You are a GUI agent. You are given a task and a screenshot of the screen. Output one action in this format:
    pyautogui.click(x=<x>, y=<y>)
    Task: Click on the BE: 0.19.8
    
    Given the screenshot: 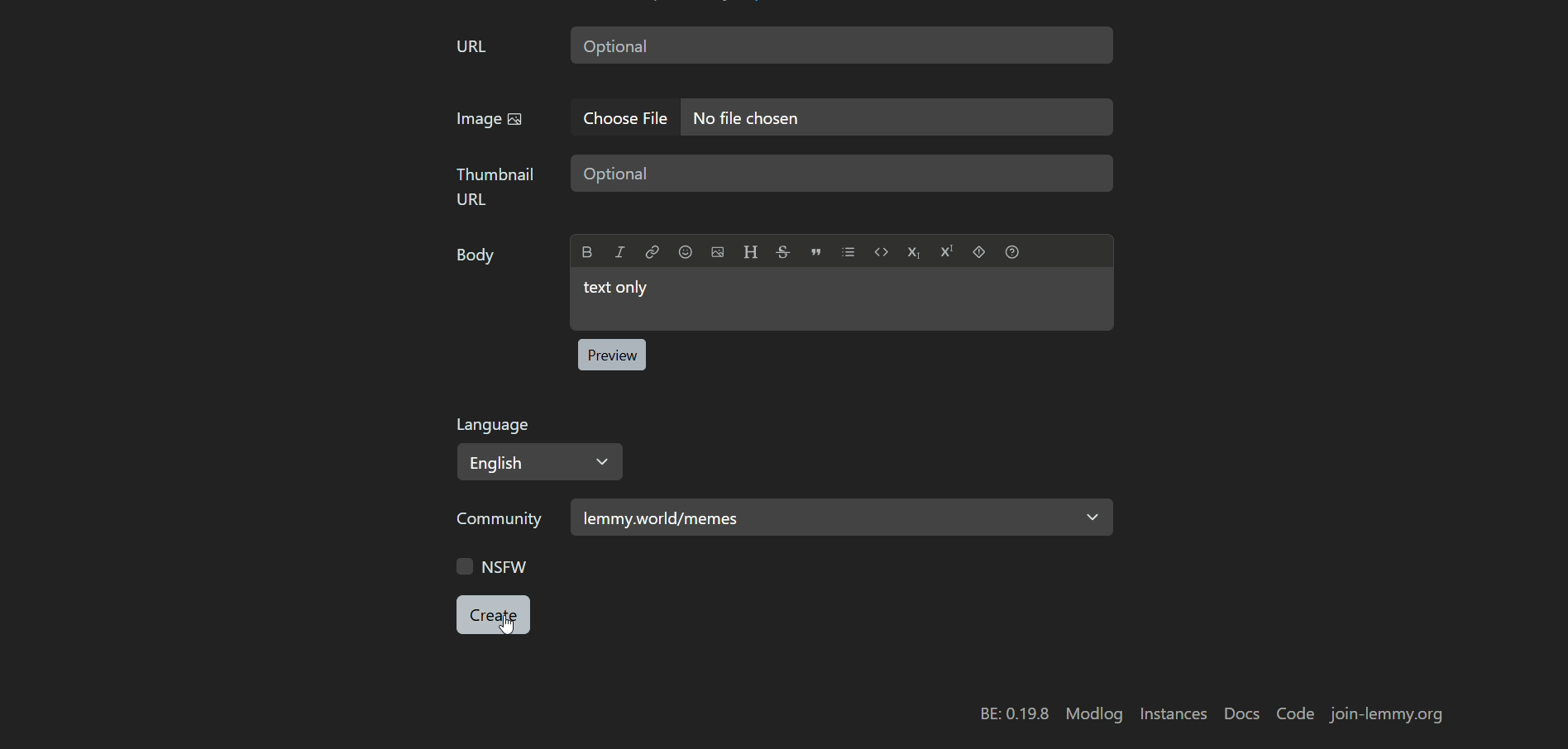 What is the action you would take?
    pyautogui.click(x=1015, y=714)
    